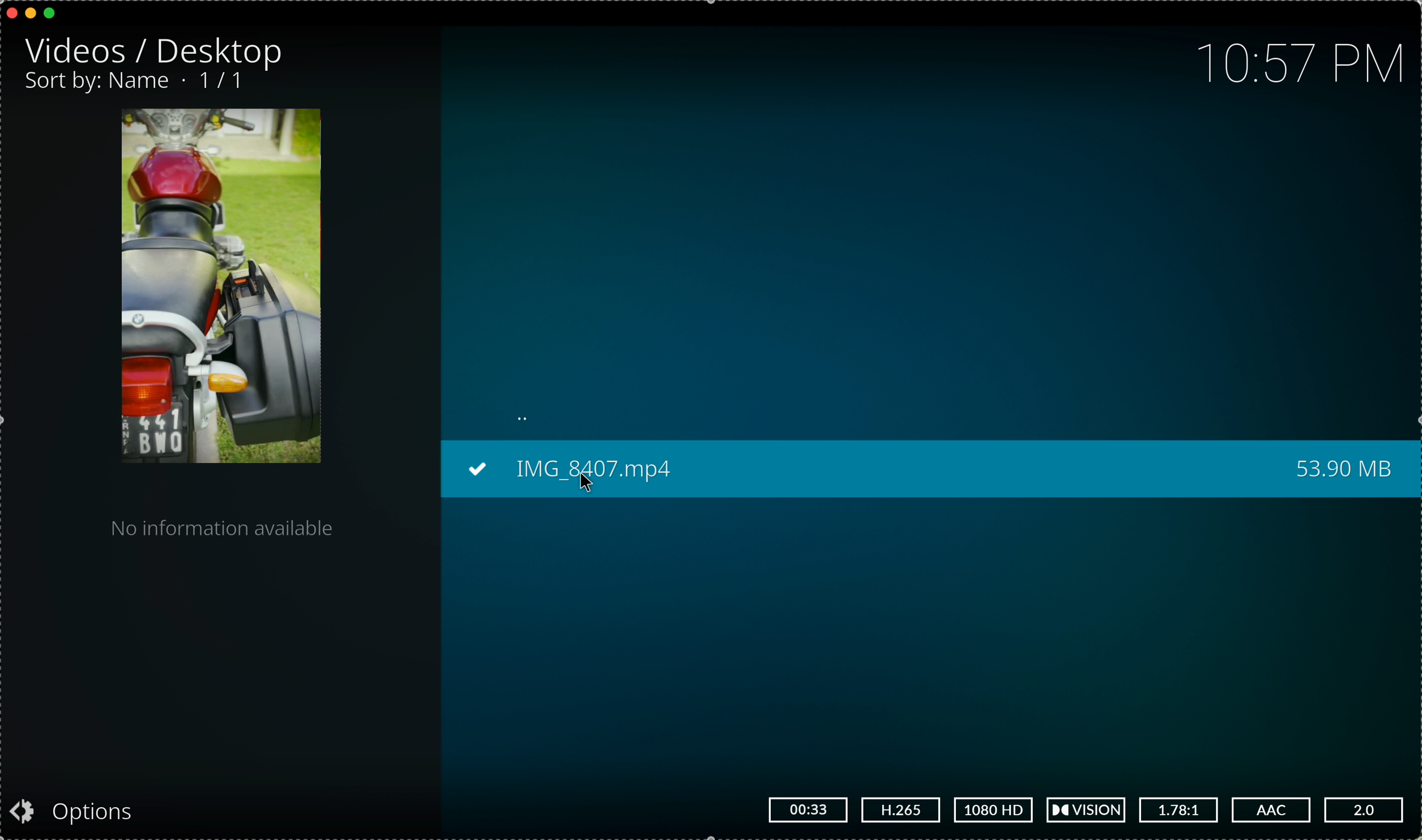  What do you see at coordinates (809, 810) in the screenshot?
I see `00:33` at bounding box center [809, 810].